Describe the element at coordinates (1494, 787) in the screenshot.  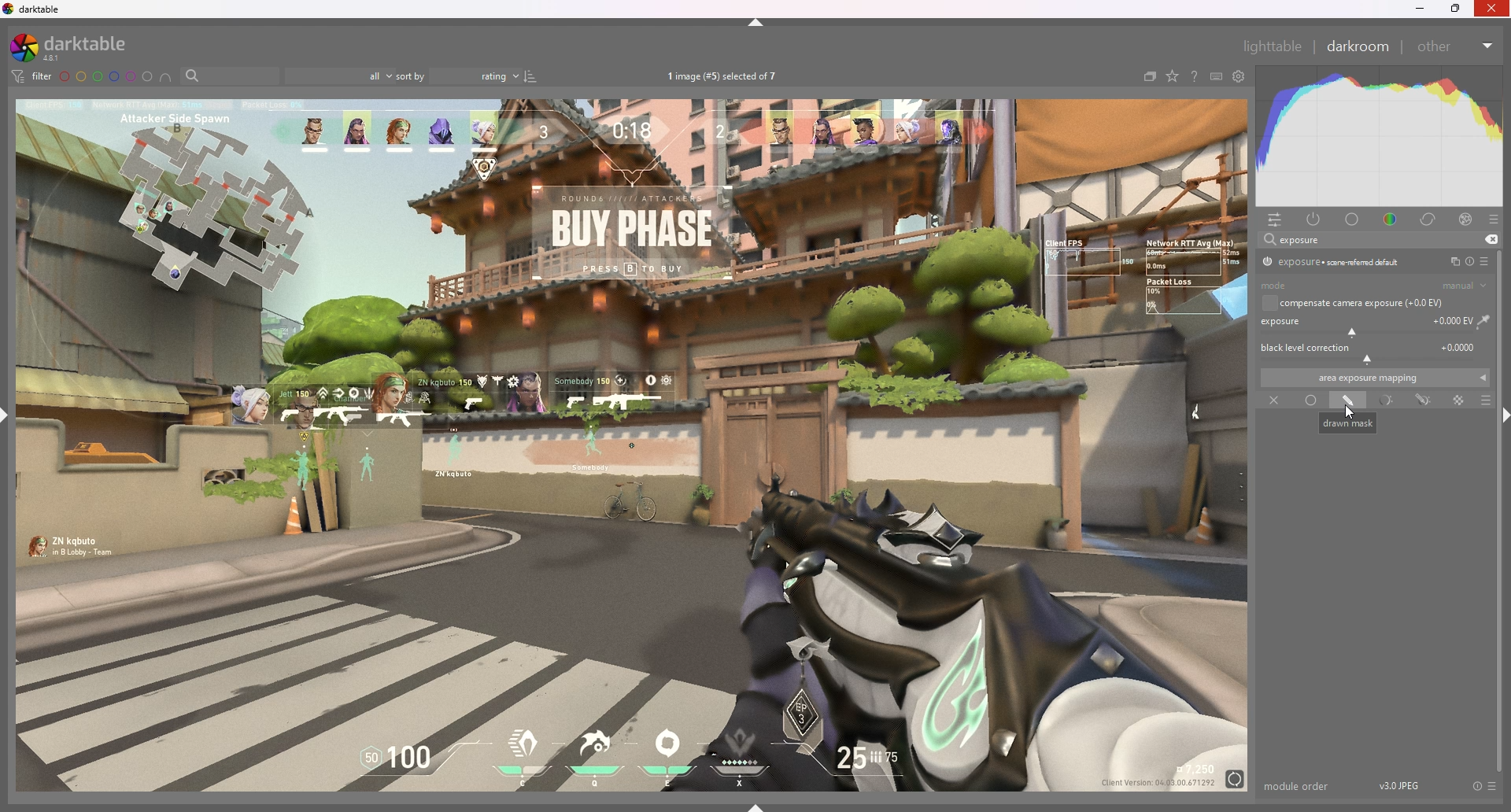
I see `presets` at that location.